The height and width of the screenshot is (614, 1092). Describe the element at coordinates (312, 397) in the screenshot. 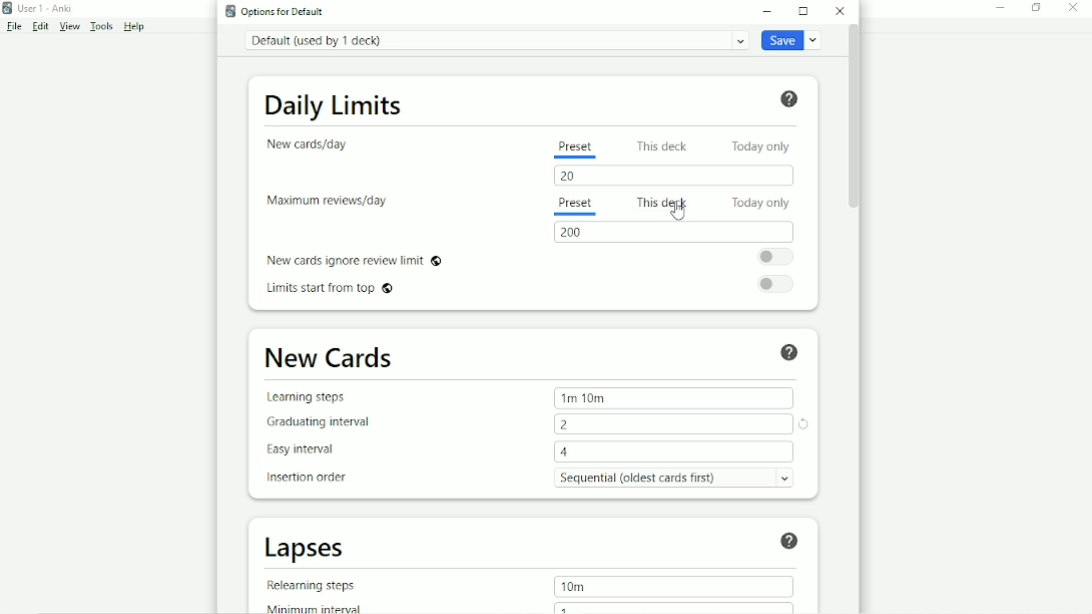

I see `Learning steps` at that location.